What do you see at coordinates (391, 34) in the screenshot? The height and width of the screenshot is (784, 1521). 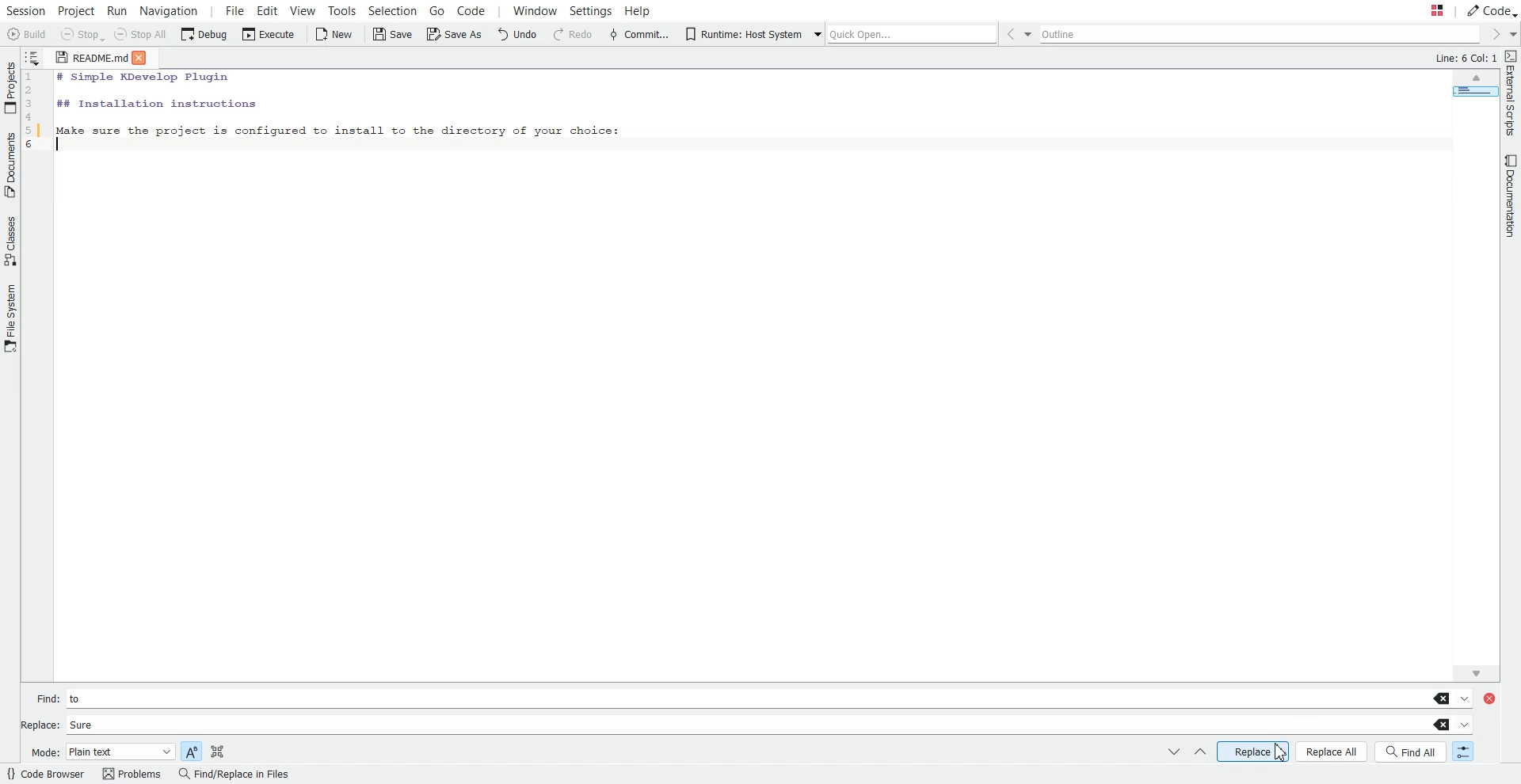 I see `Save` at bounding box center [391, 34].